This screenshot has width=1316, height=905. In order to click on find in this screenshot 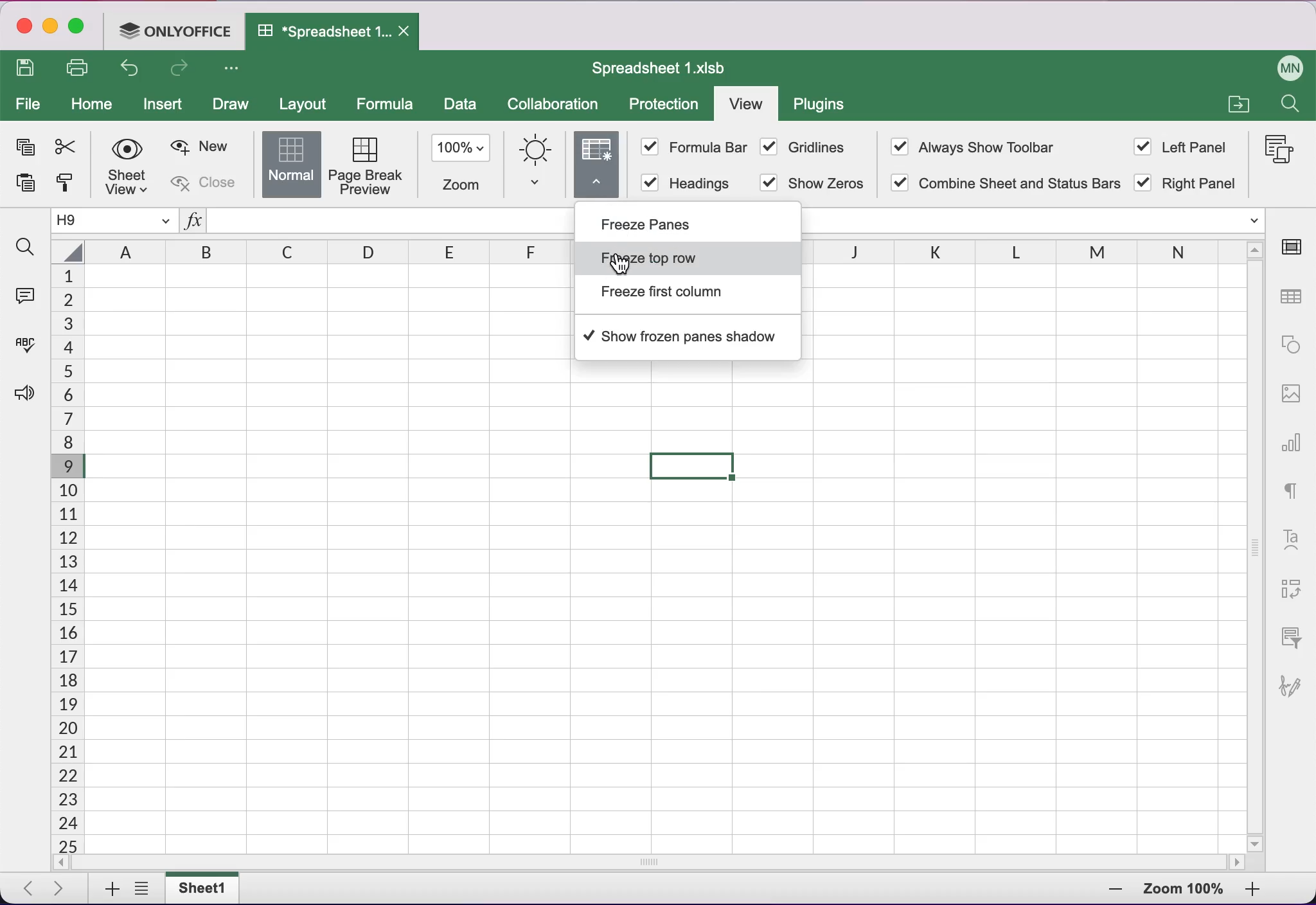, I will do `click(26, 248)`.